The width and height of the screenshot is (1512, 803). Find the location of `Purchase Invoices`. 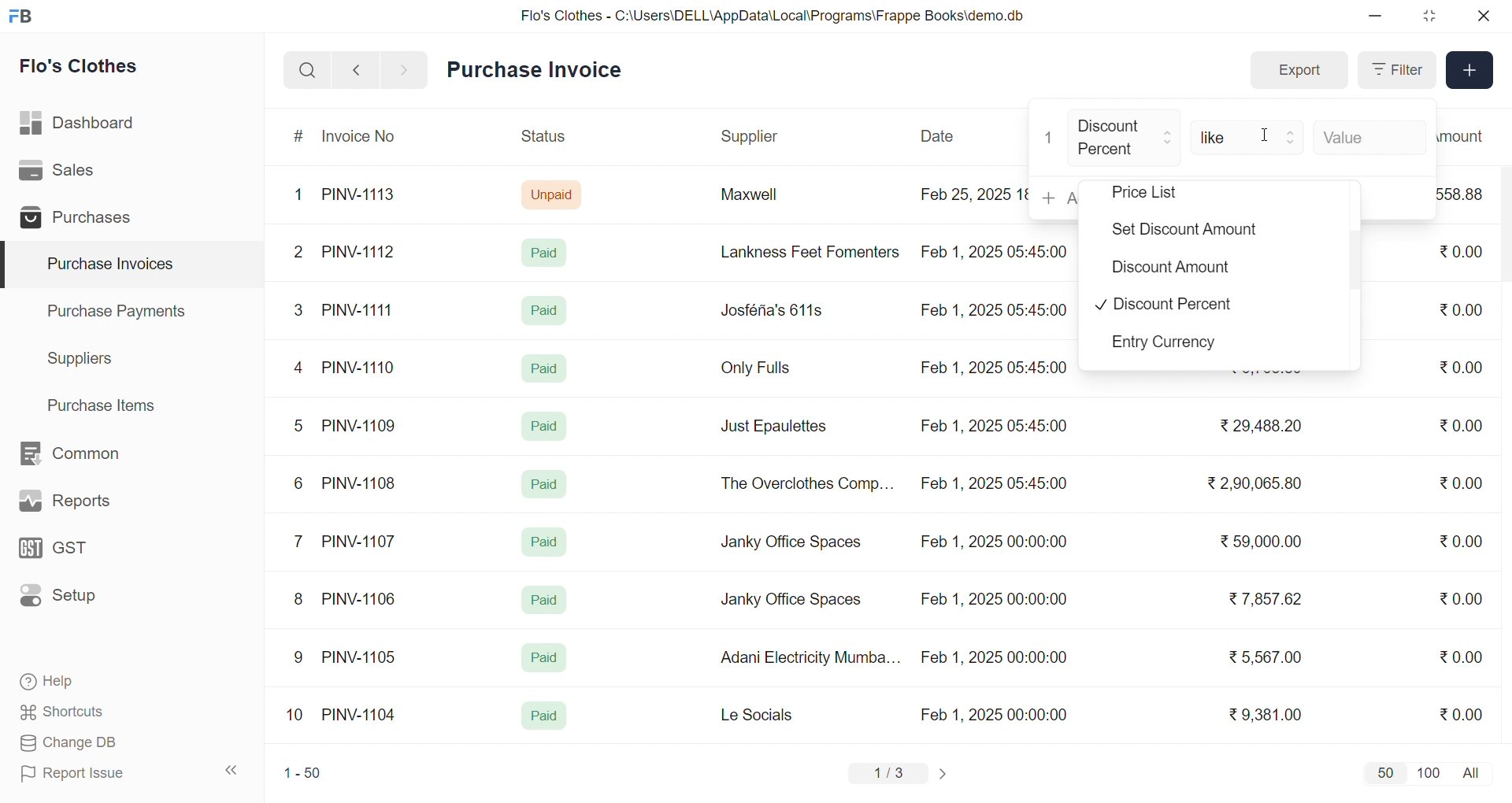

Purchase Invoices is located at coordinates (108, 265).